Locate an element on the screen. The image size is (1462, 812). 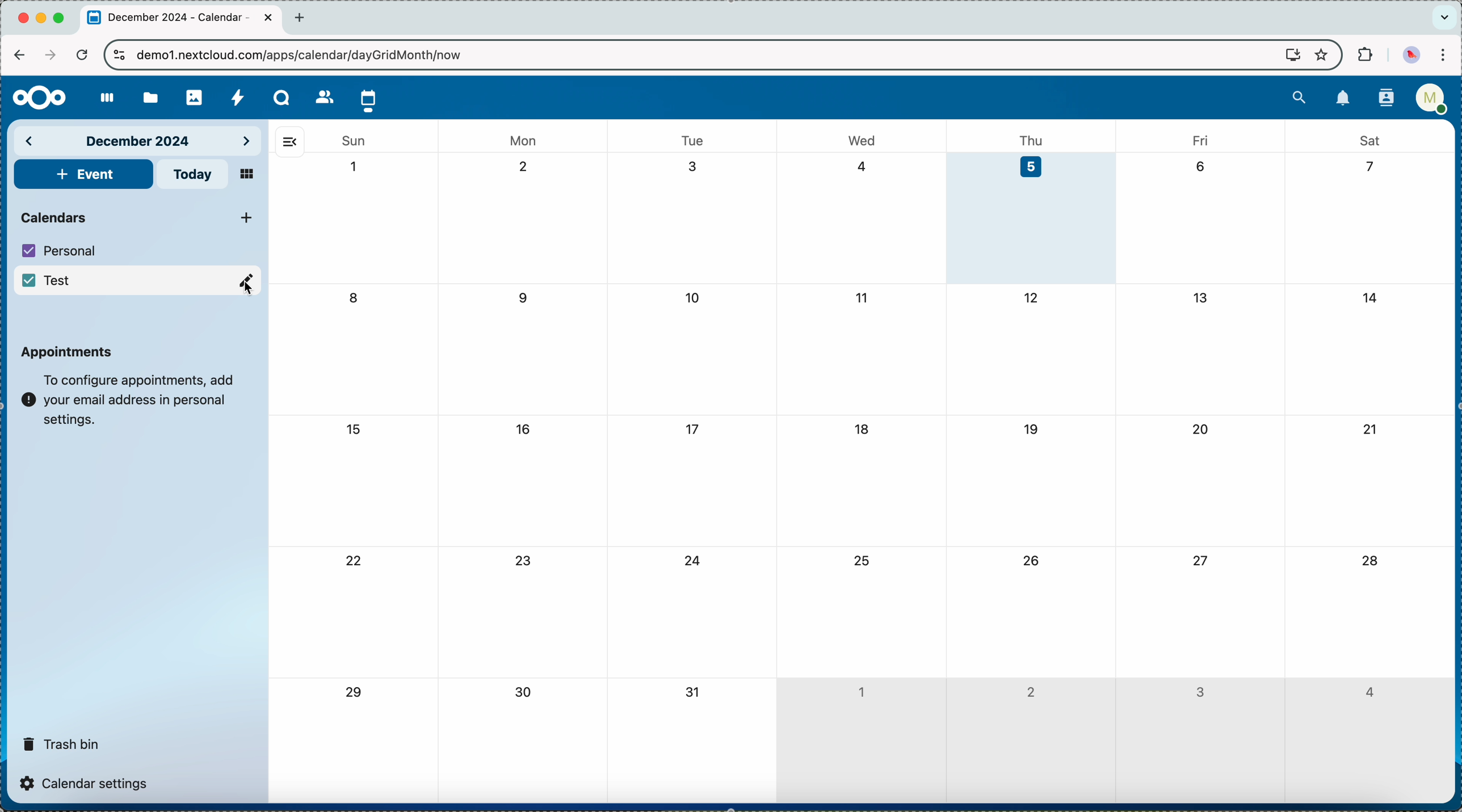
24 is located at coordinates (694, 562).